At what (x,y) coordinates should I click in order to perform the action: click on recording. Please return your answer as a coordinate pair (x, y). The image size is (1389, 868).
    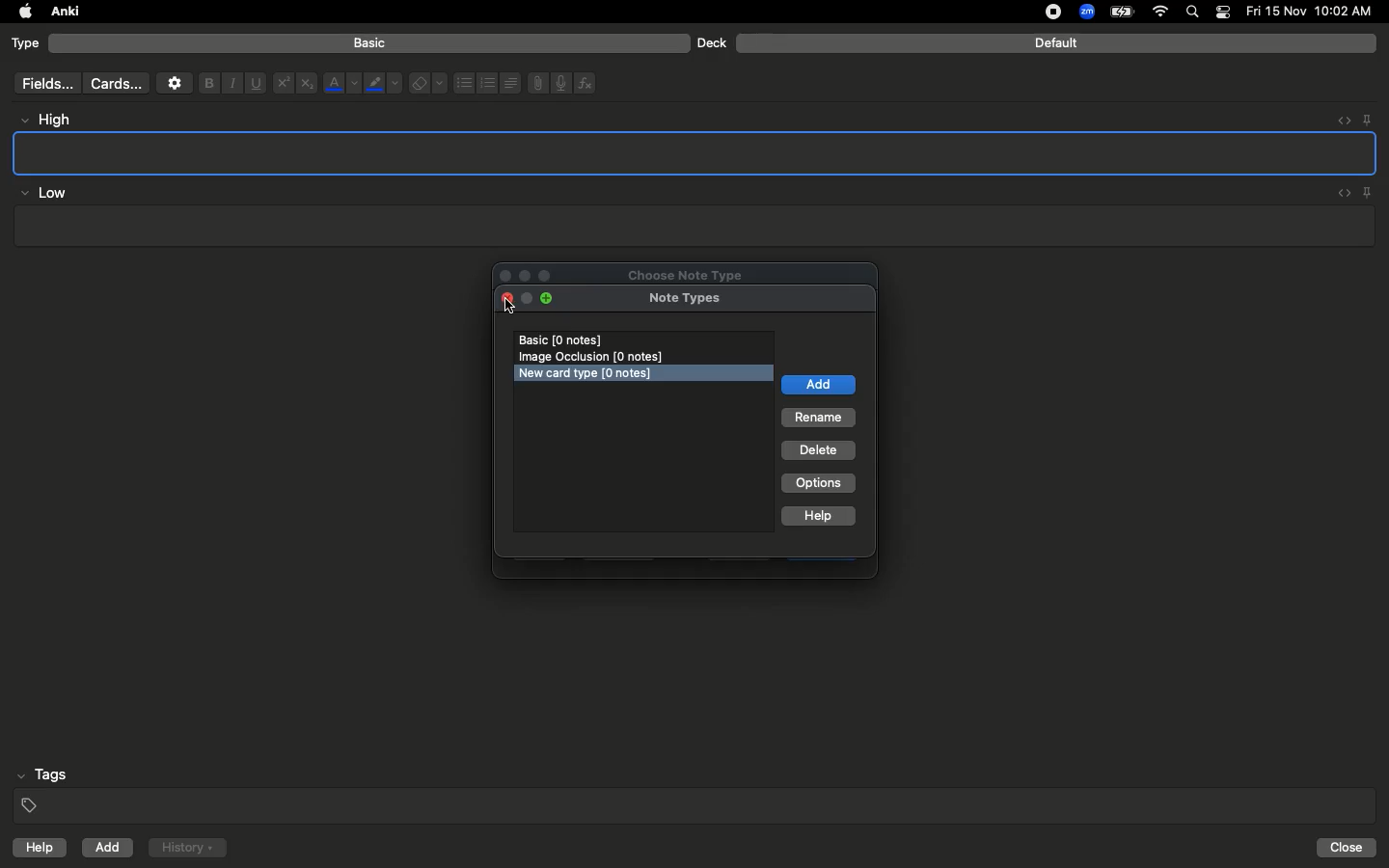
    Looking at the image, I should click on (1042, 12).